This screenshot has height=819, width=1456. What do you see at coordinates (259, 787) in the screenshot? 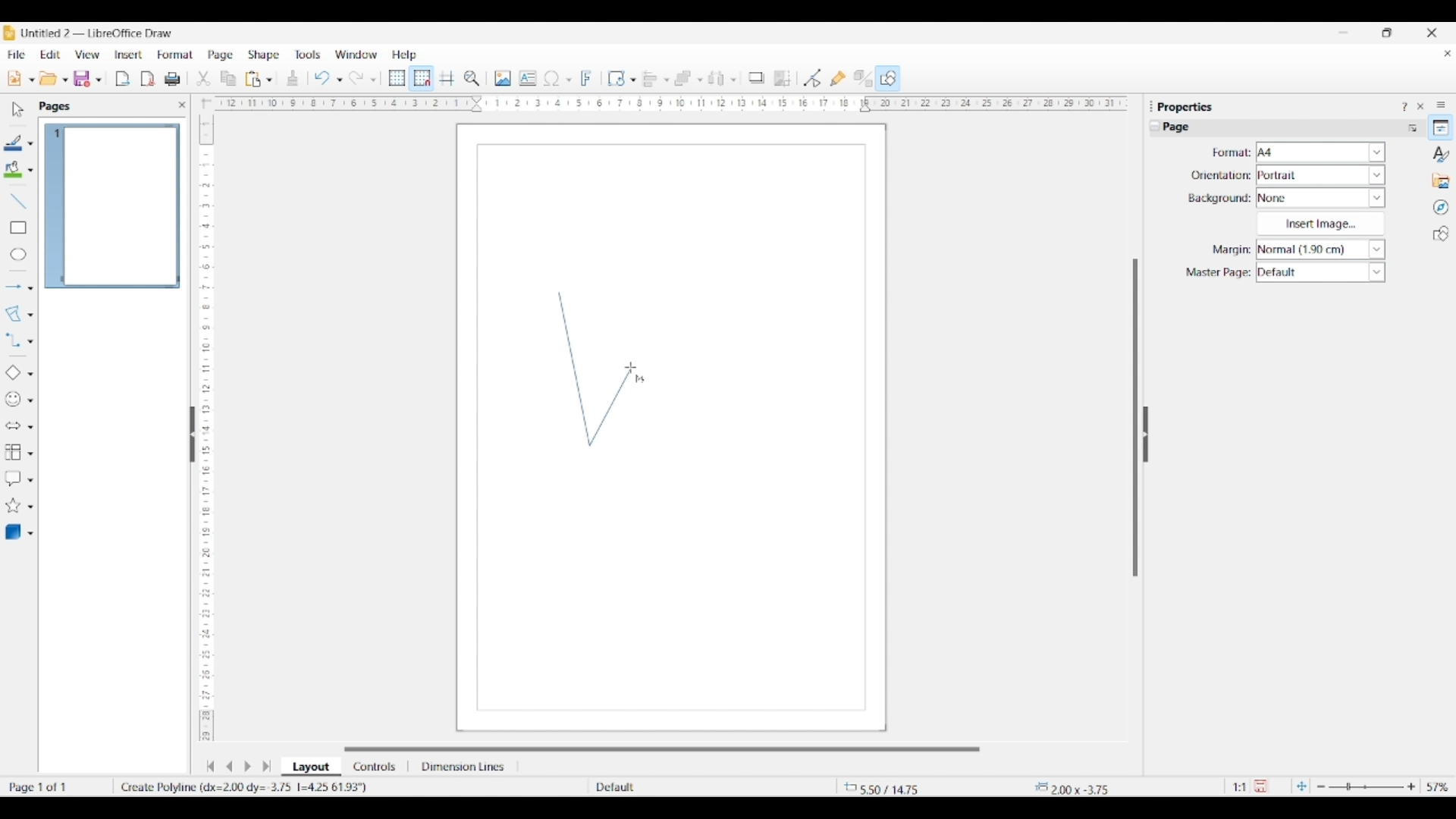
I see `Polygon co-ordinates changed` at bounding box center [259, 787].